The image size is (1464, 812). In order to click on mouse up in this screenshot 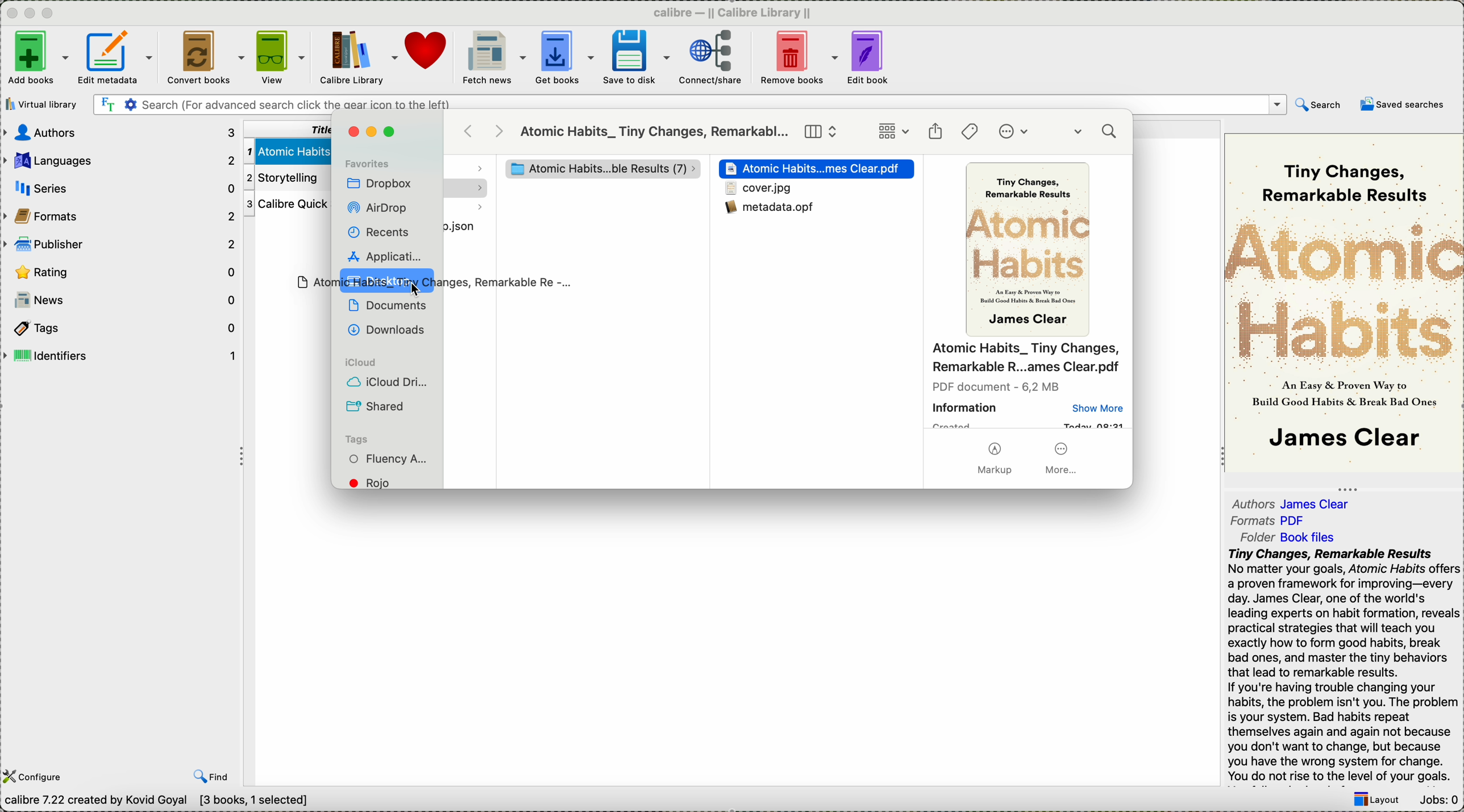, I will do `click(430, 282)`.